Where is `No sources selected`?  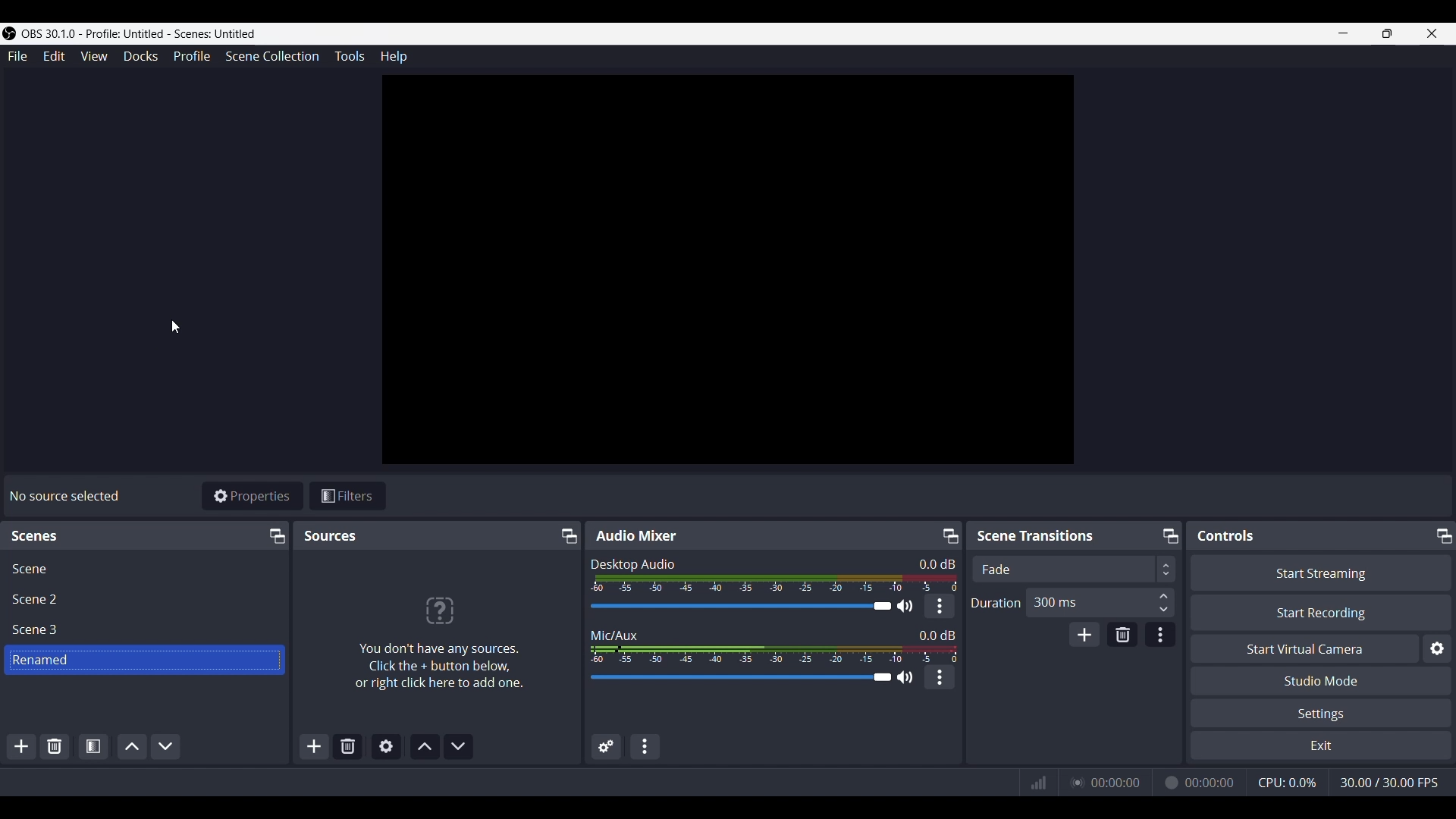
No sources selected is located at coordinates (63, 496).